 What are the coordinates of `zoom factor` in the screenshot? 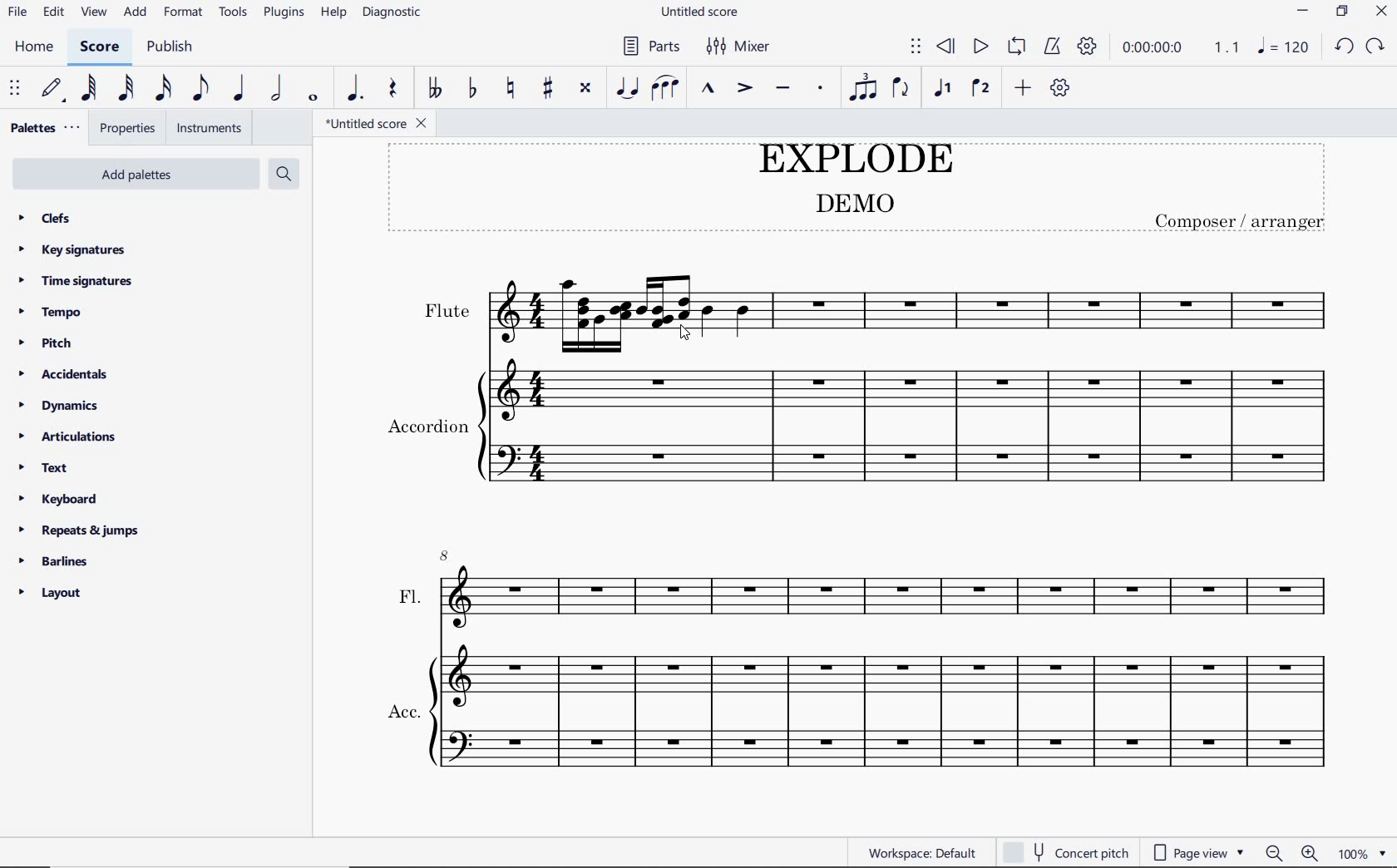 It's located at (1365, 850).